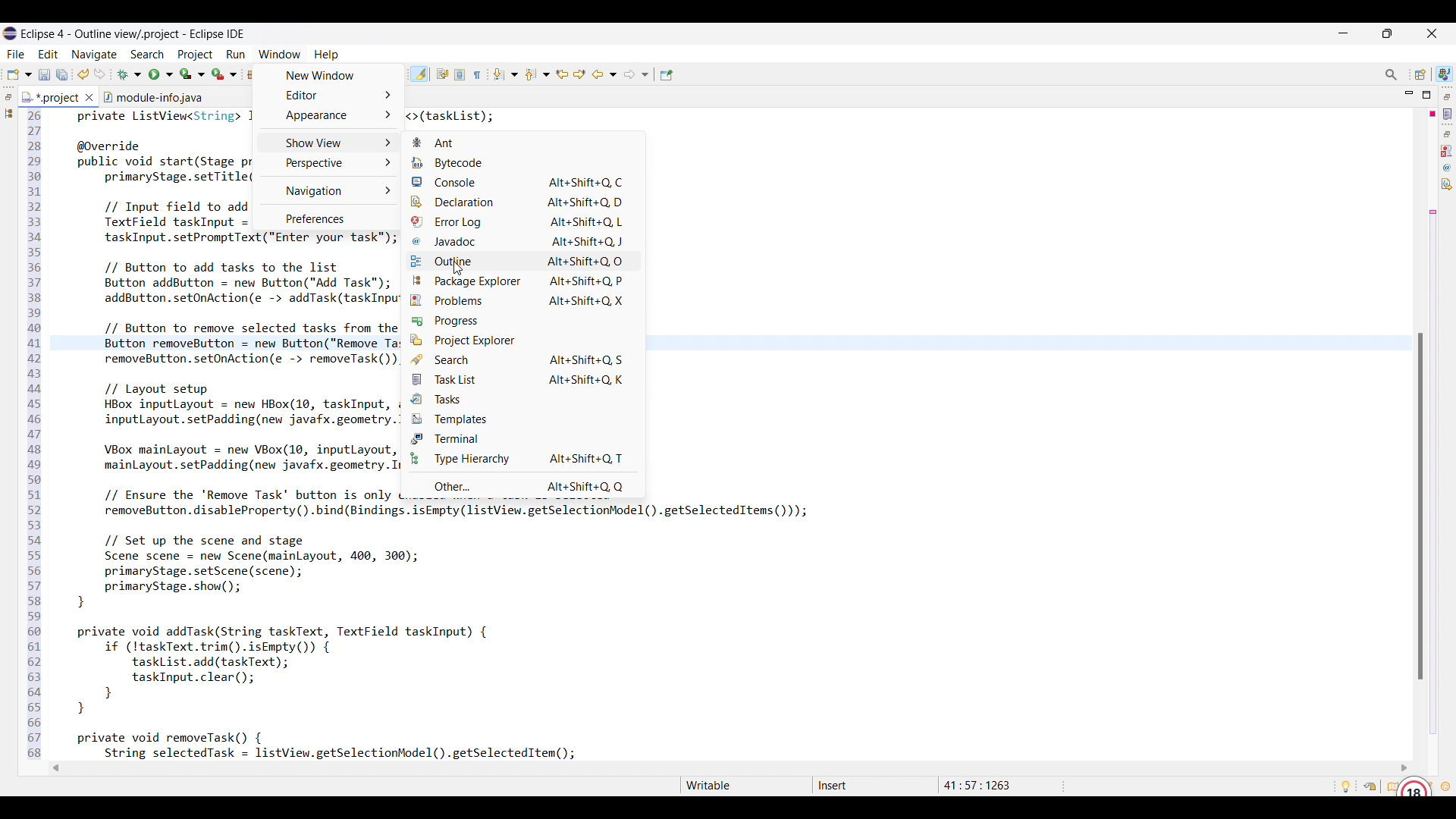 This screenshot has width=1456, height=819. Describe the element at coordinates (129, 75) in the screenshot. I see `Debug options` at that location.